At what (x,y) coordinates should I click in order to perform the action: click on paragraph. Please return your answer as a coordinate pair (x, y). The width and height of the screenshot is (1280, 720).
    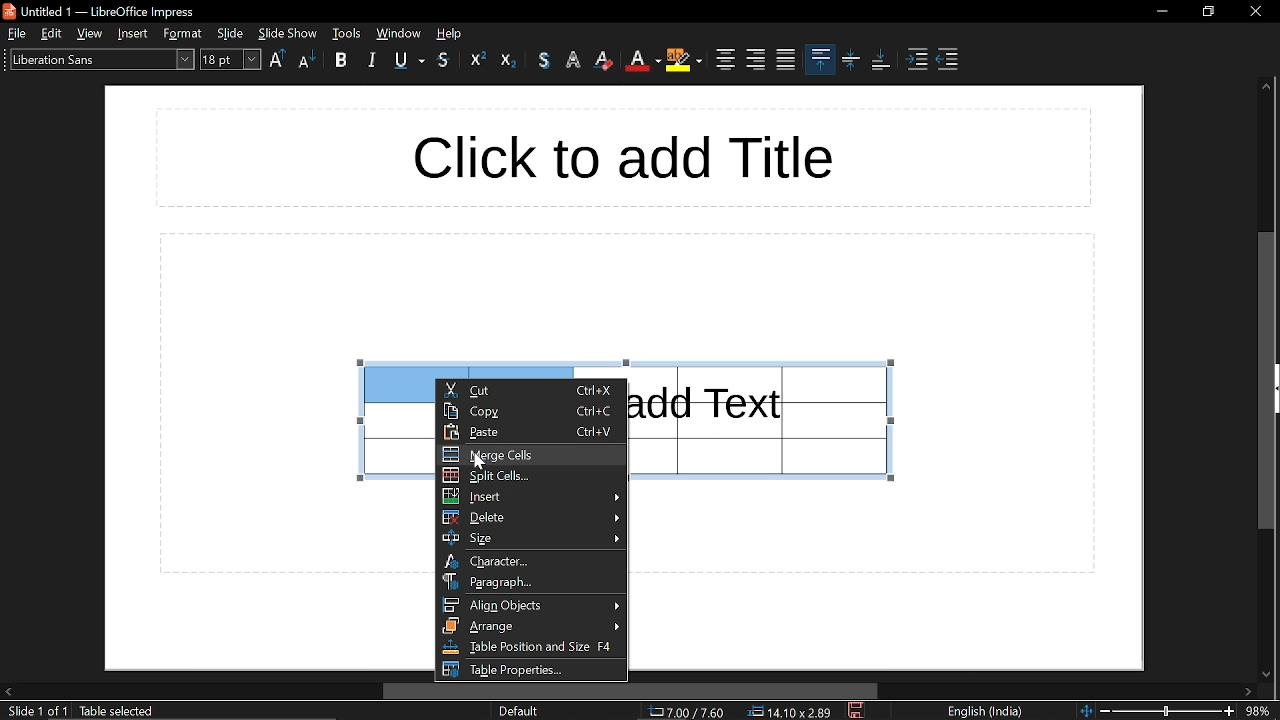
    Looking at the image, I should click on (534, 581).